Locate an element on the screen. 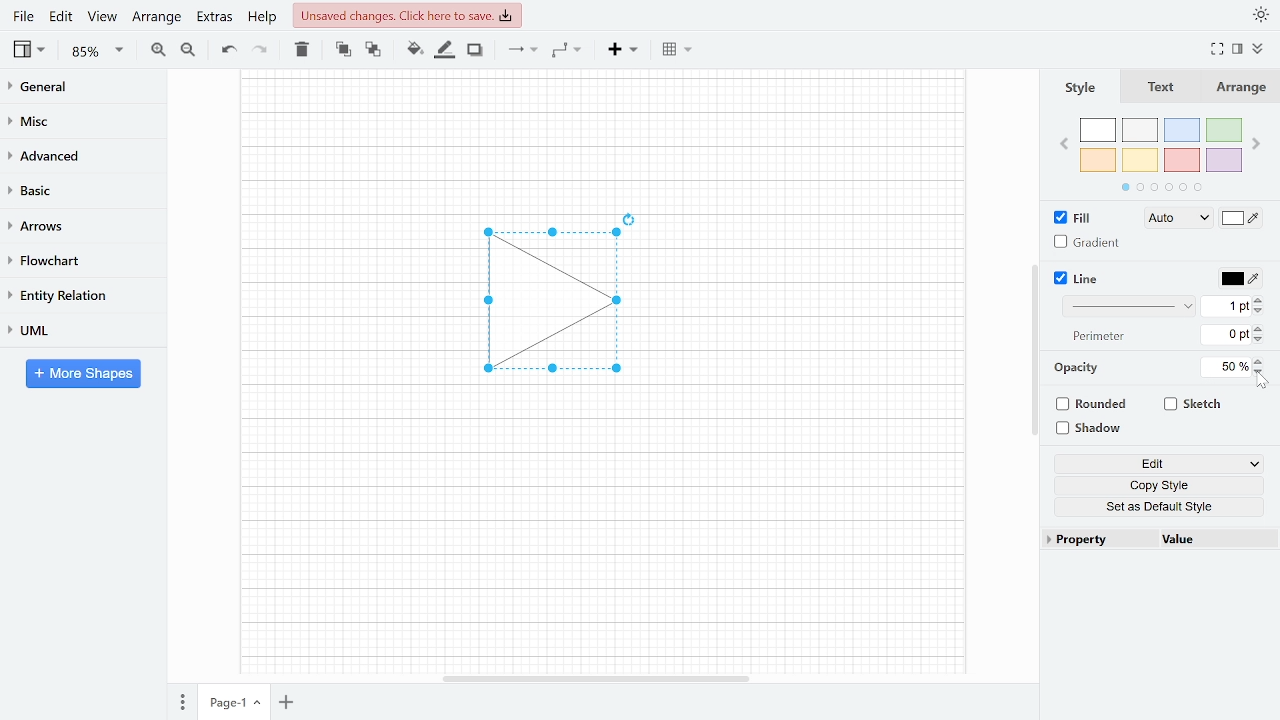 Image resolution: width=1280 pixels, height=720 pixels. Insert is located at coordinates (623, 48).